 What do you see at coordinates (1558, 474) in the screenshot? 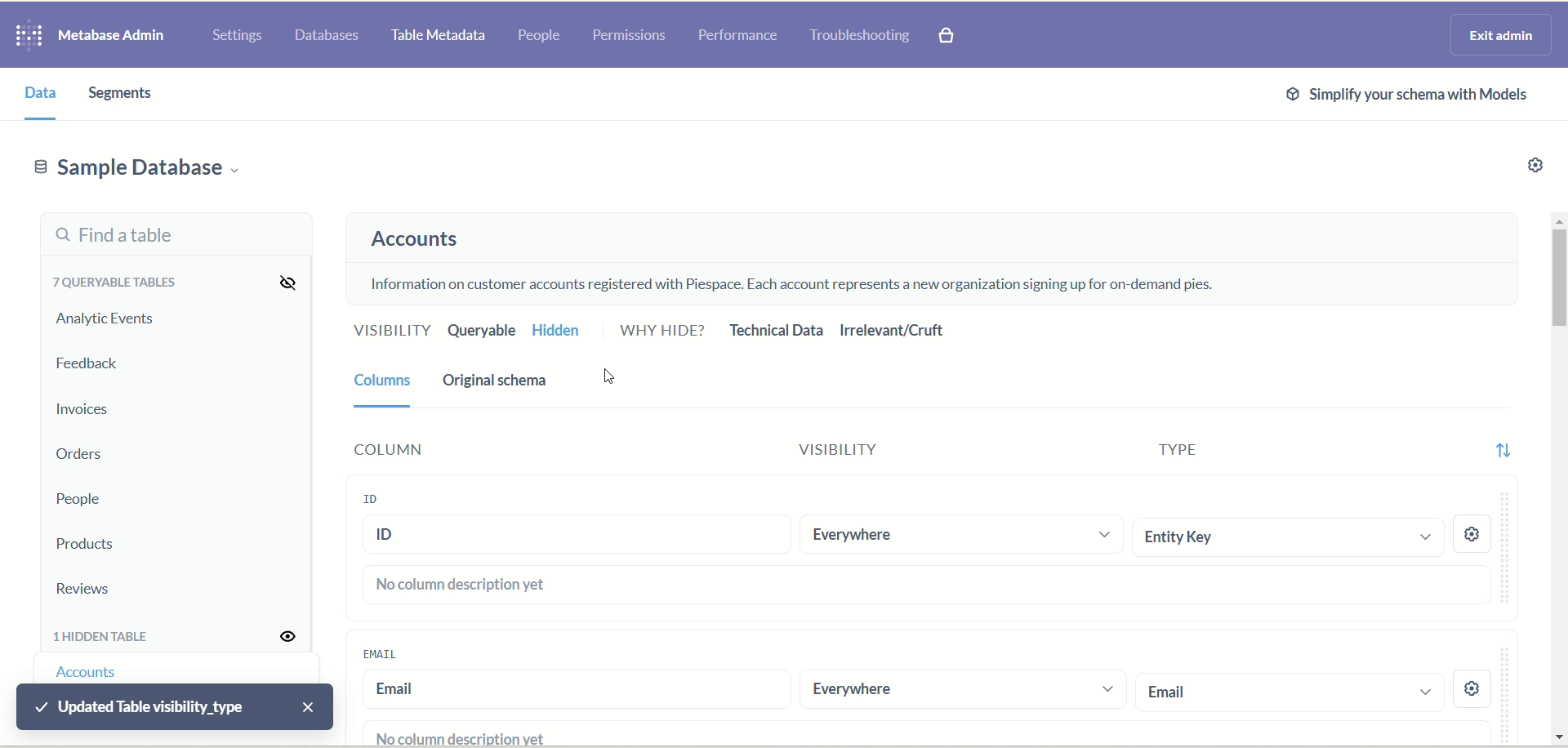
I see `vertical scroll bar` at bounding box center [1558, 474].